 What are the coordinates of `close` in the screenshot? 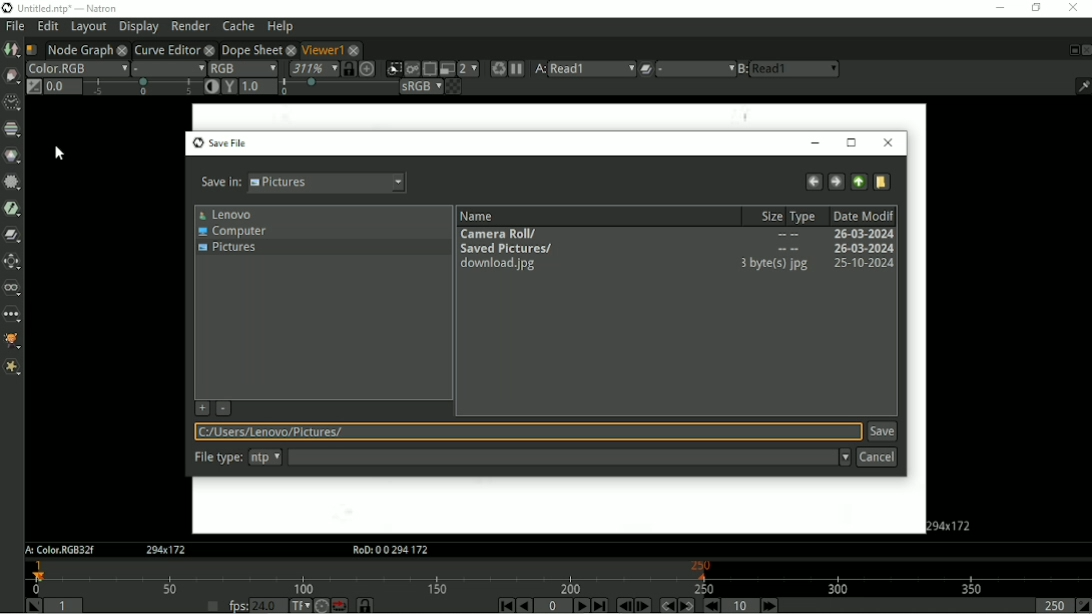 It's located at (210, 50).